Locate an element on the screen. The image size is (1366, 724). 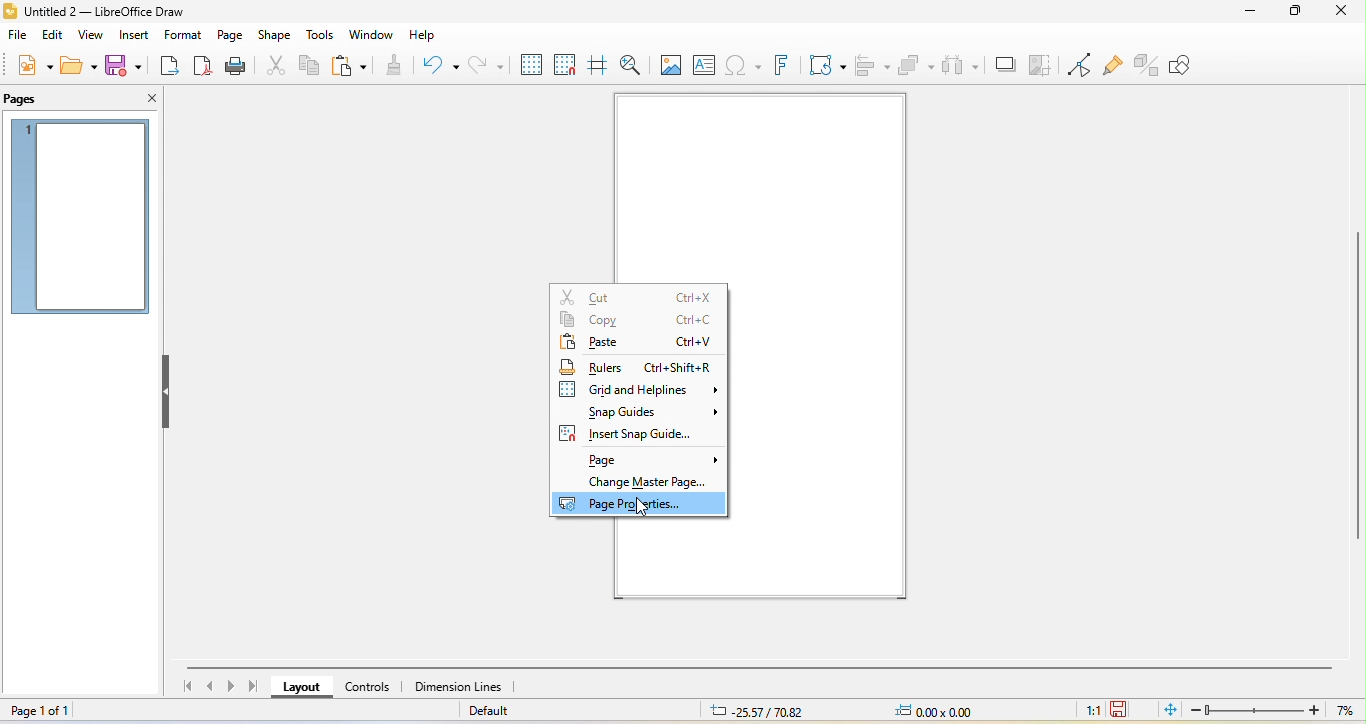
copy is located at coordinates (642, 319).